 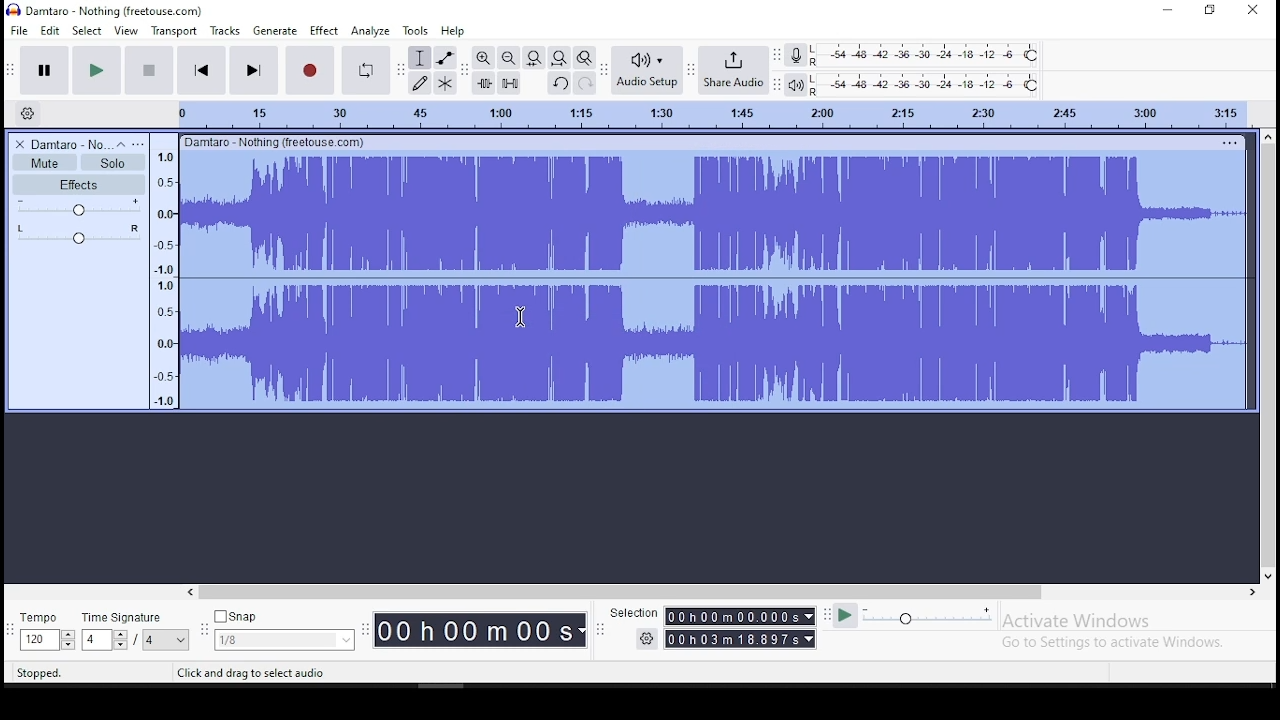 I want to click on envelope tool, so click(x=445, y=58).